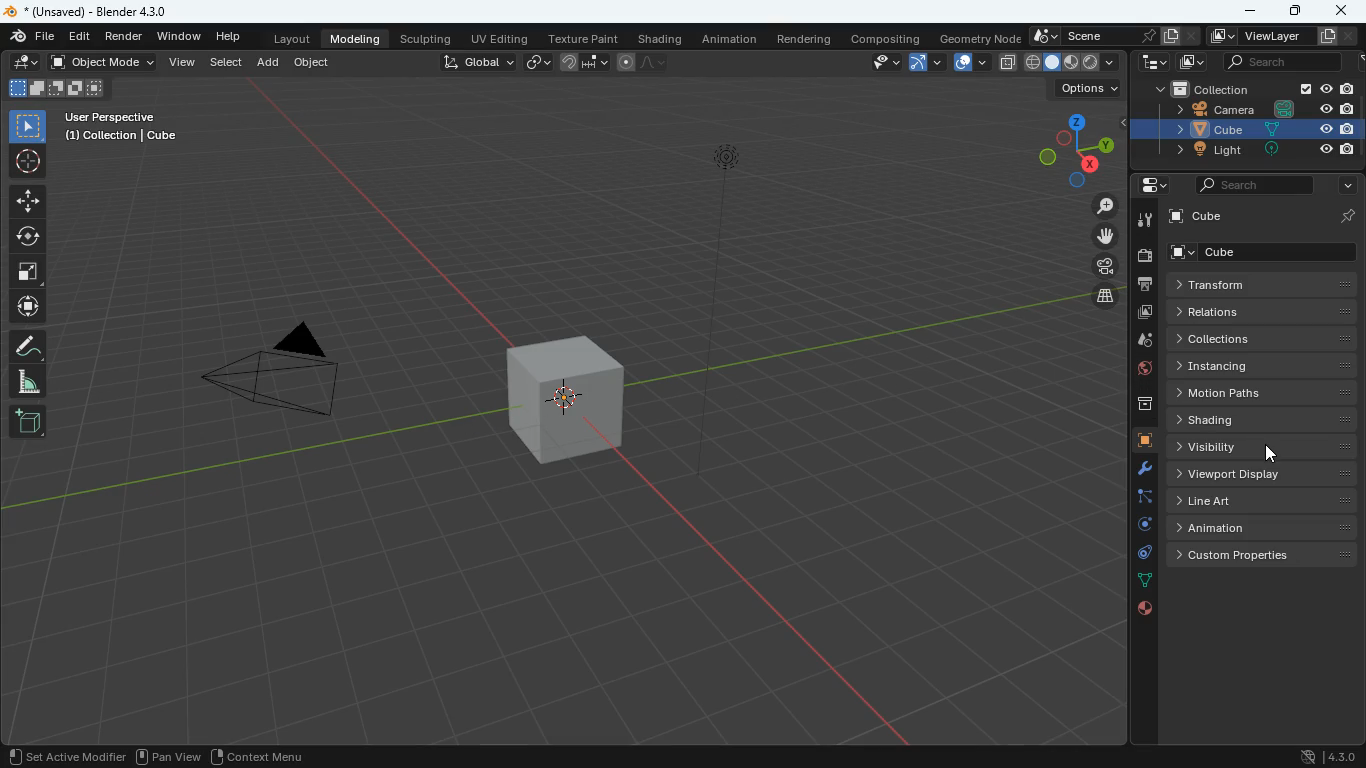 The height and width of the screenshot is (768, 1366). What do you see at coordinates (1264, 499) in the screenshot?
I see `lineart` at bounding box center [1264, 499].